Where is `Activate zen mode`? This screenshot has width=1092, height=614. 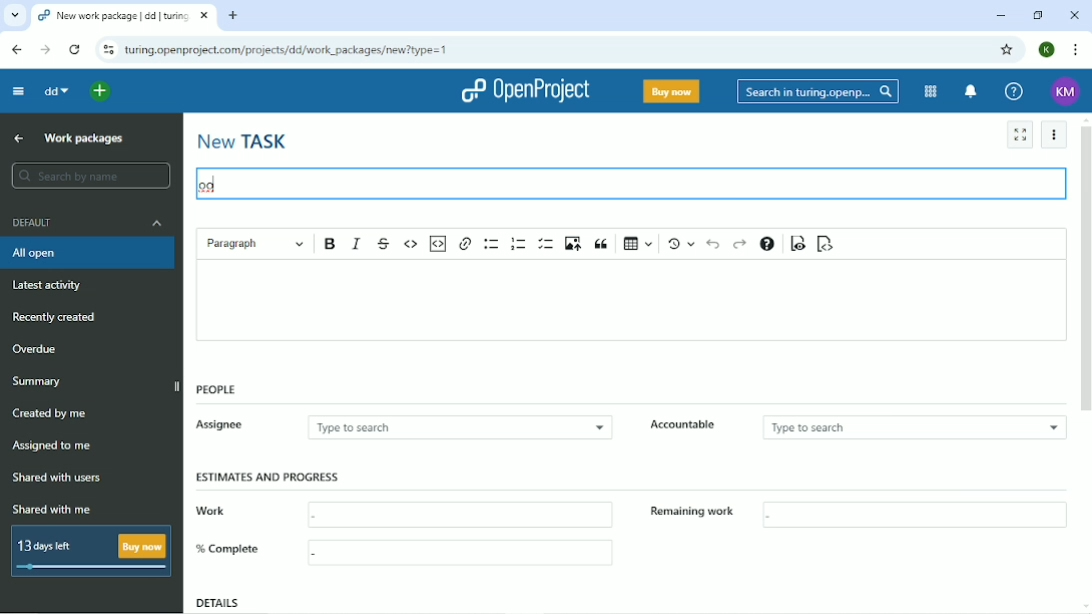 Activate zen mode is located at coordinates (1019, 134).